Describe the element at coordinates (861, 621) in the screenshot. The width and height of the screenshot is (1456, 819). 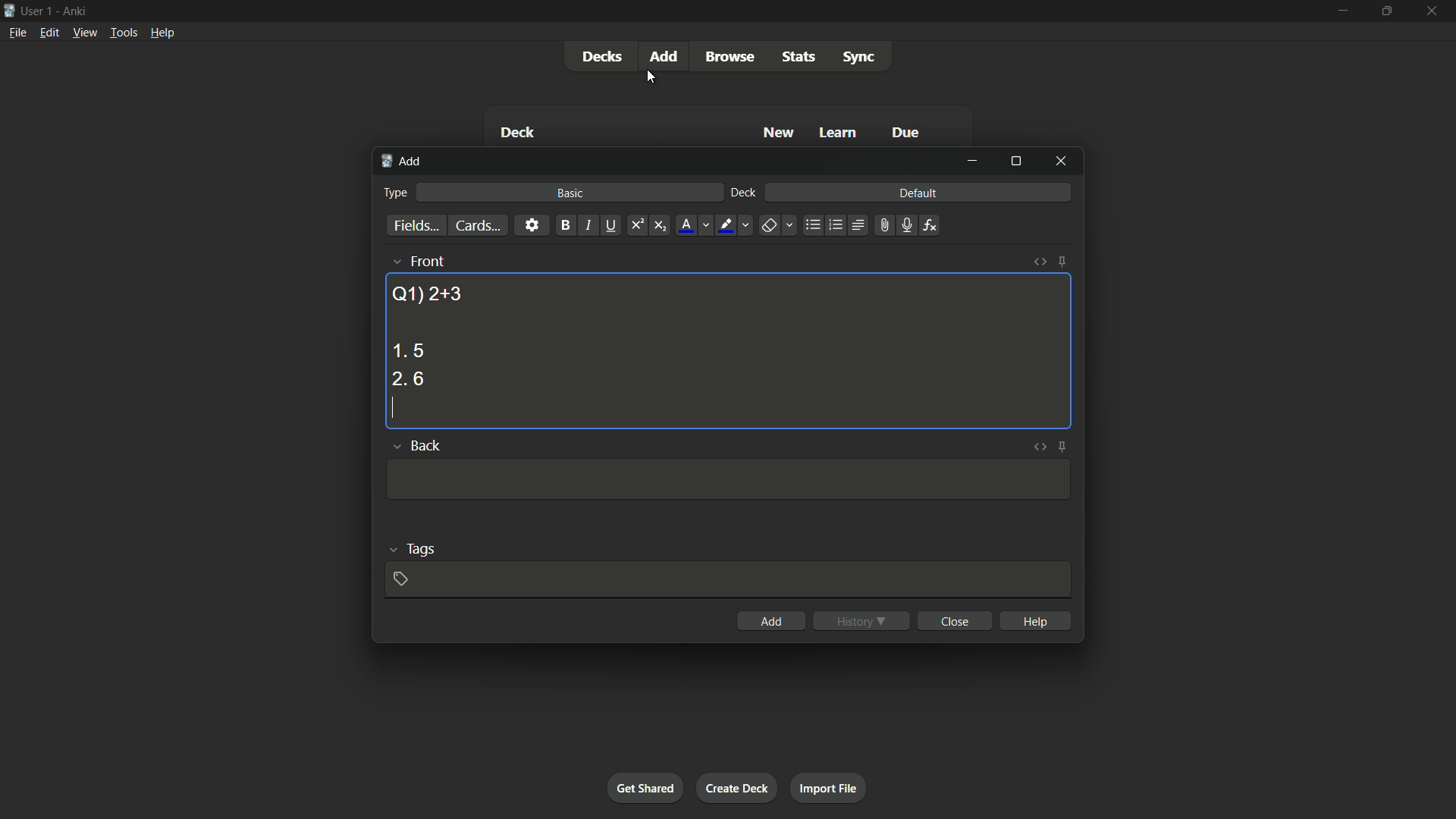
I see `history` at that location.